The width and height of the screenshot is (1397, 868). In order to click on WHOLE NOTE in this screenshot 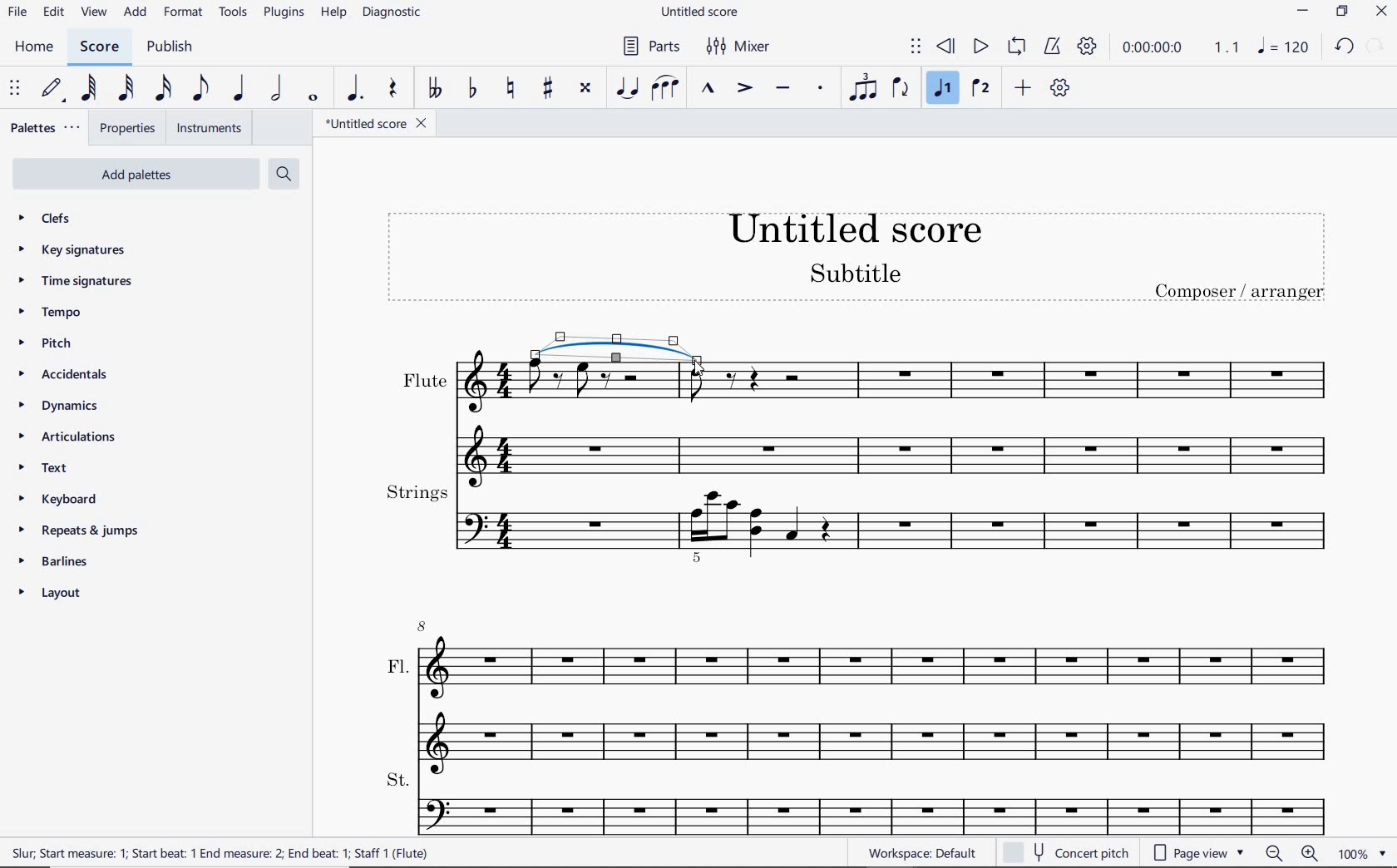, I will do `click(314, 100)`.